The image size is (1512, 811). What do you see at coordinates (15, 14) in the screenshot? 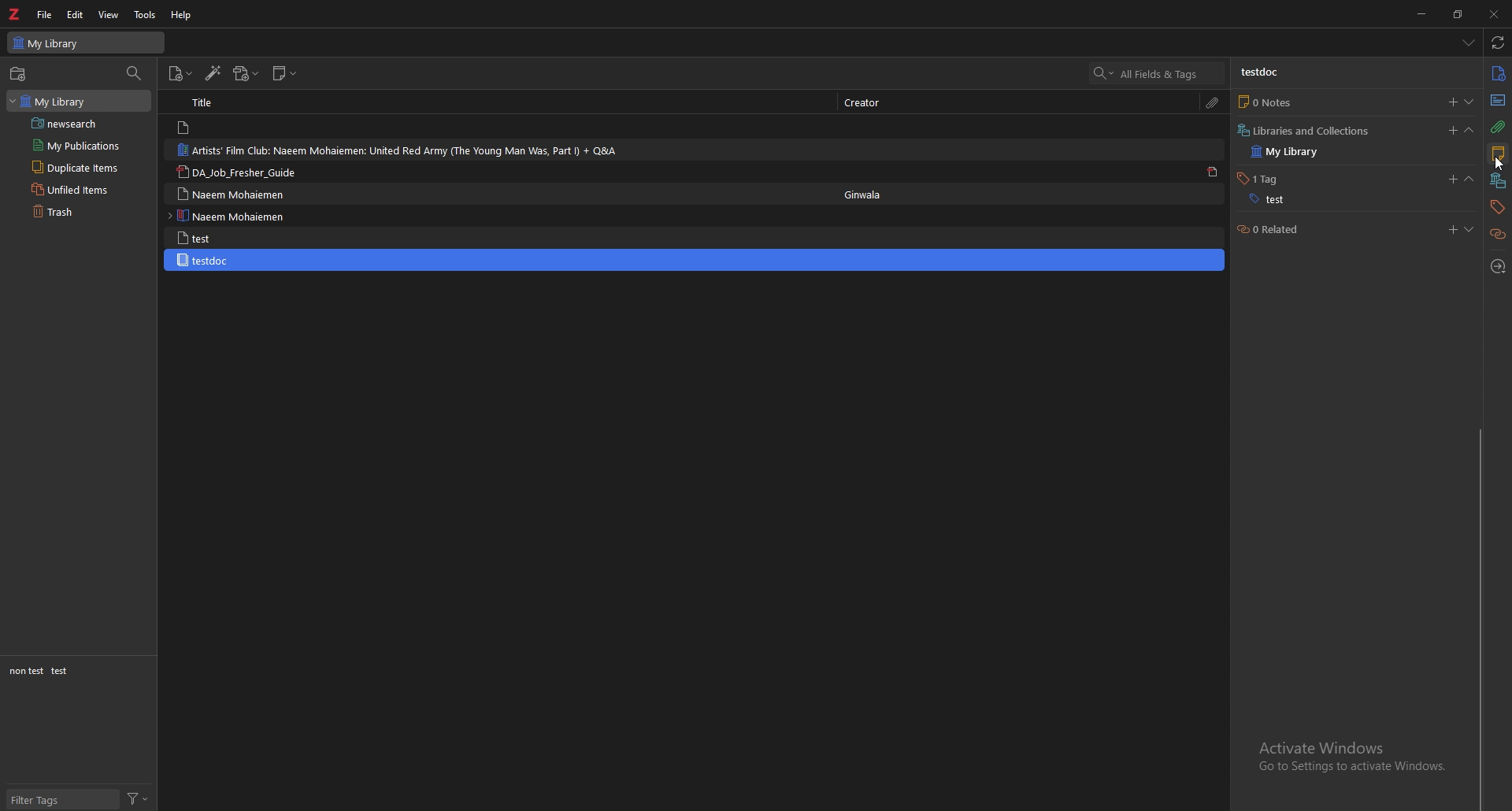
I see `zotero` at bounding box center [15, 14].